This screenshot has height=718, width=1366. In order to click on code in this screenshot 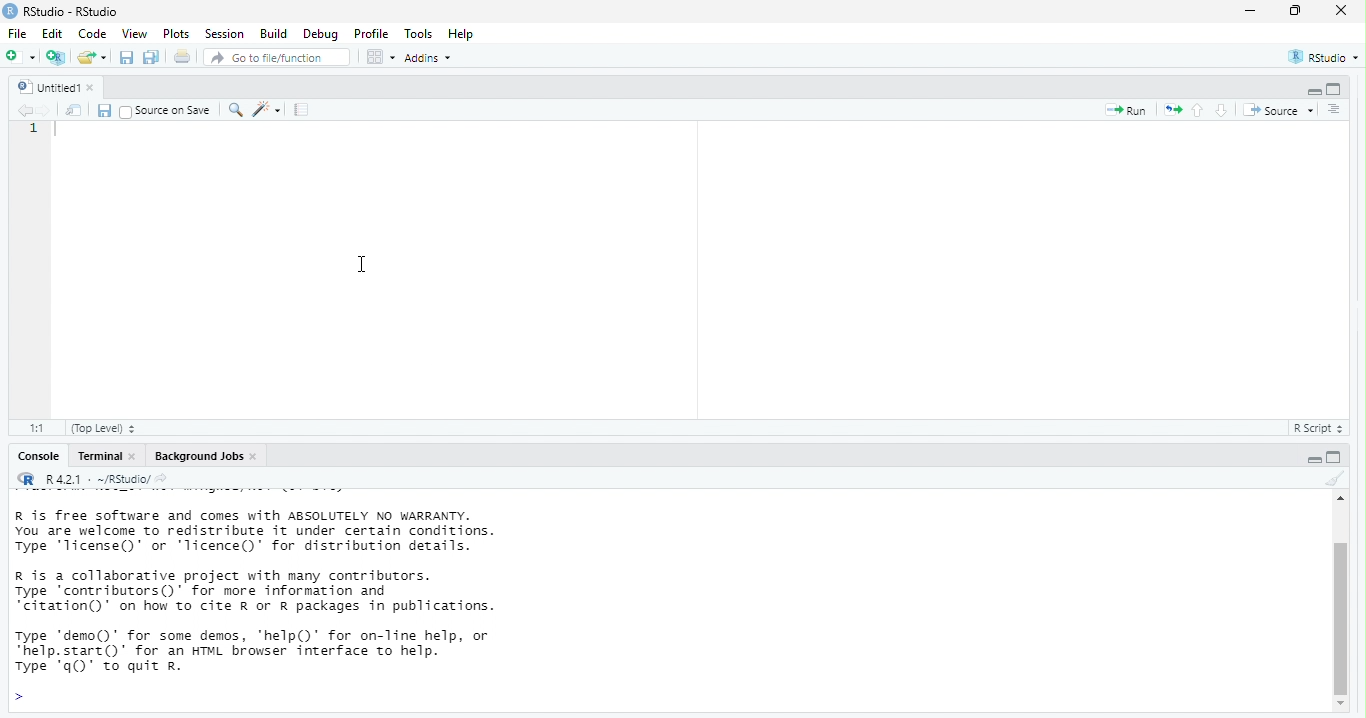, I will do `click(92, 33)`.